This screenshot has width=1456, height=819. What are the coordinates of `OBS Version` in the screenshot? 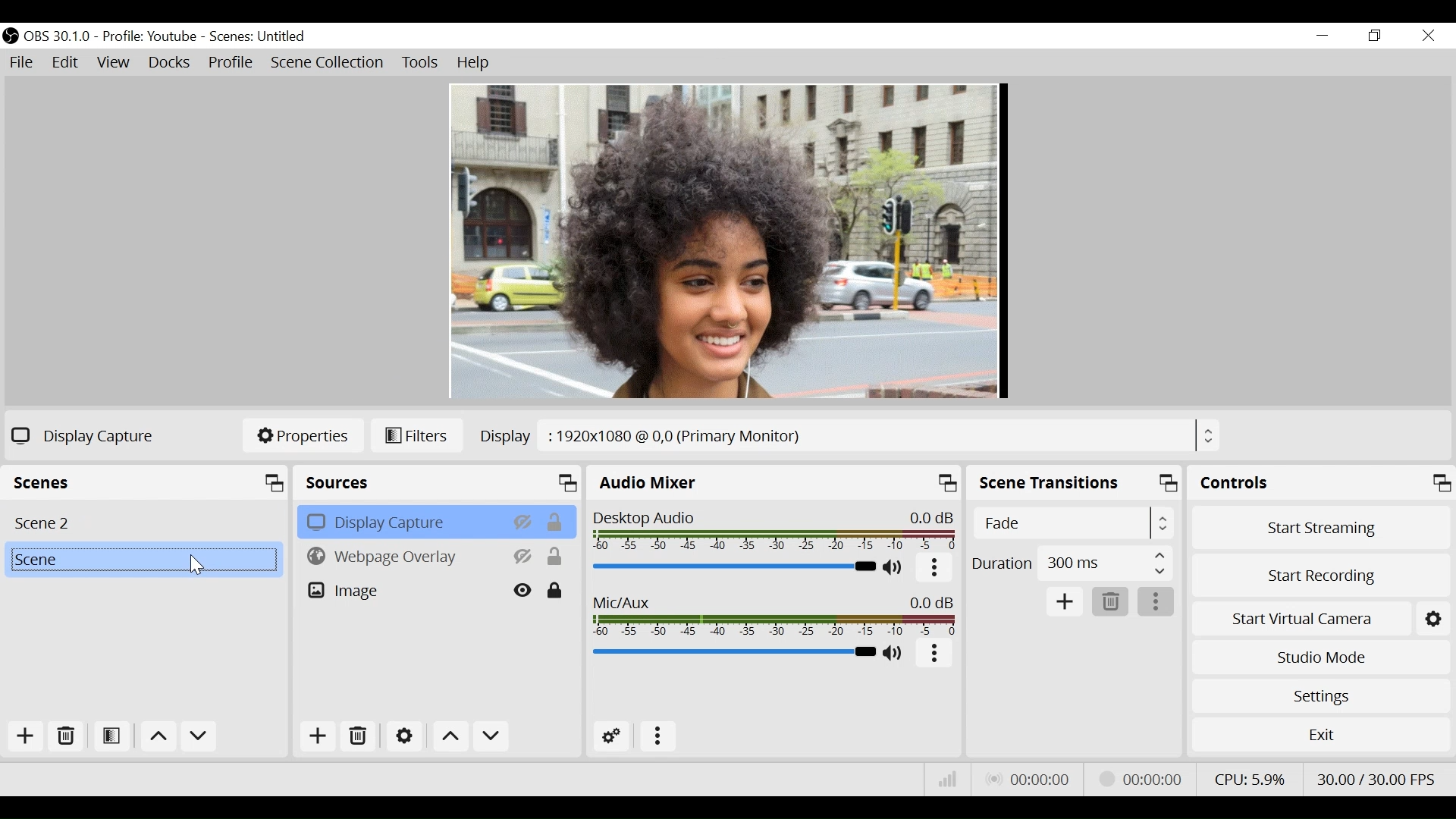 It's located at (58, 37).